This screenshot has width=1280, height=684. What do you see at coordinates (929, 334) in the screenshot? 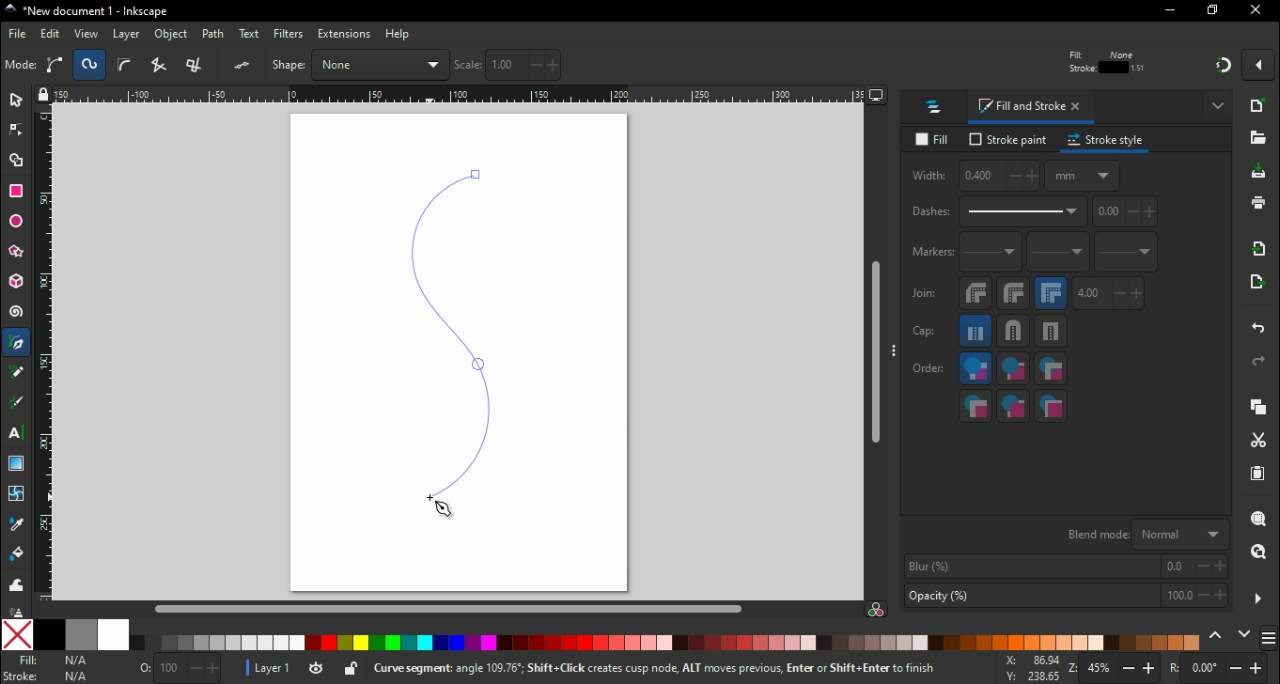
I see `cap` at bounding box center [929, 334].